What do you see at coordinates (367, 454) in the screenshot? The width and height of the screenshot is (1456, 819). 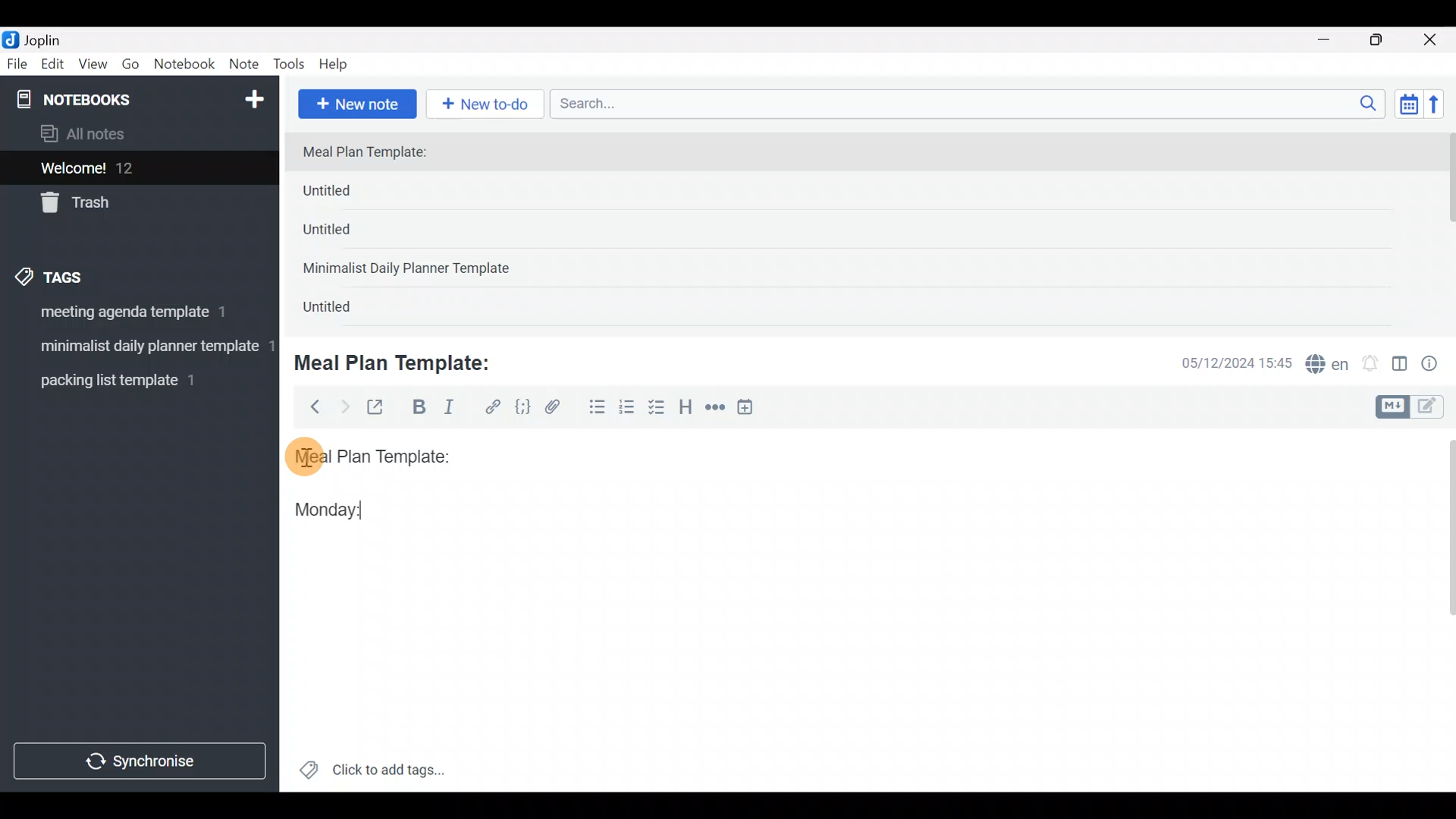 I see `Meal plan template` at bounding box center [367, 454].